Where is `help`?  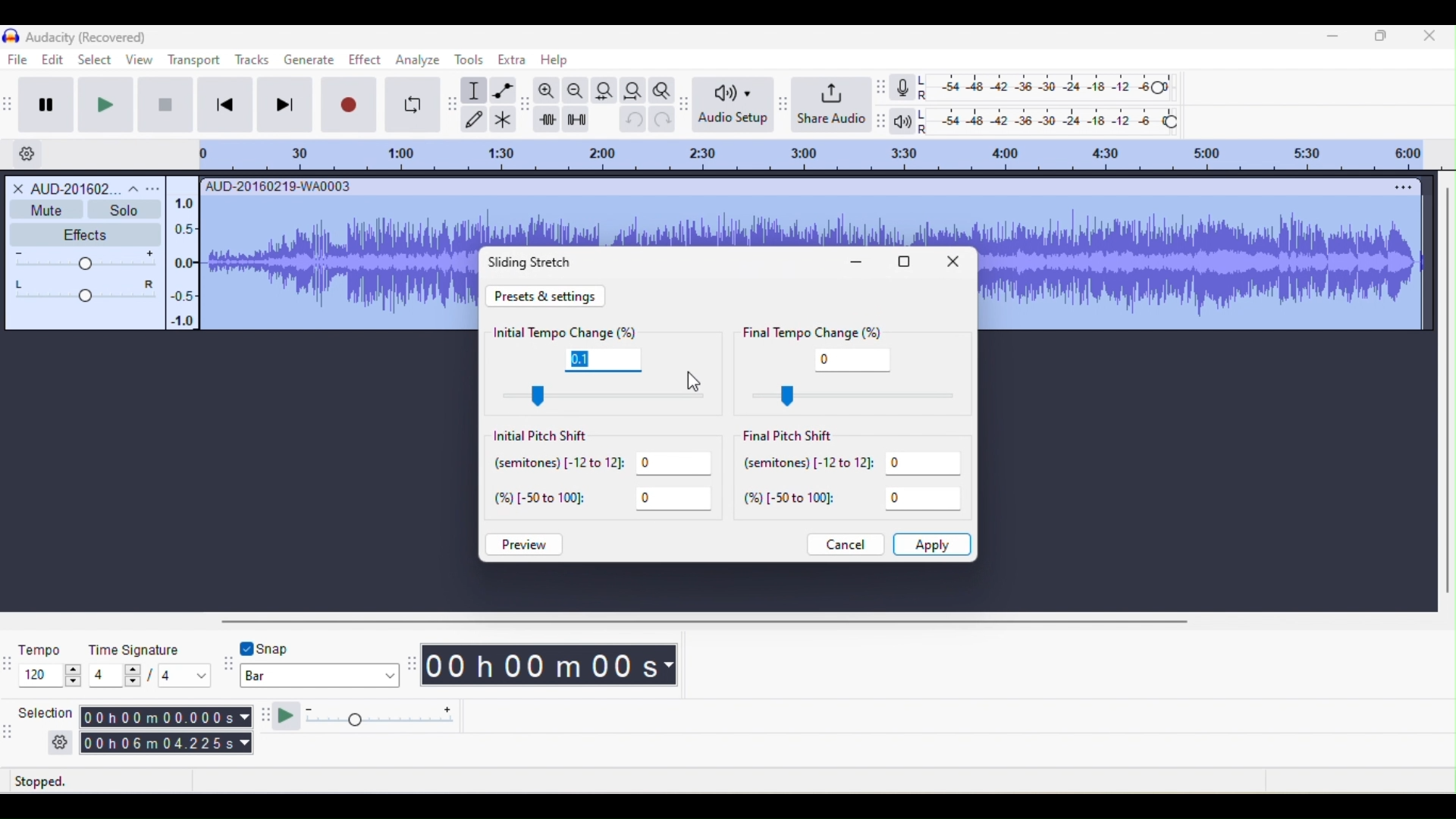 help is located at coordinates (552, 60).